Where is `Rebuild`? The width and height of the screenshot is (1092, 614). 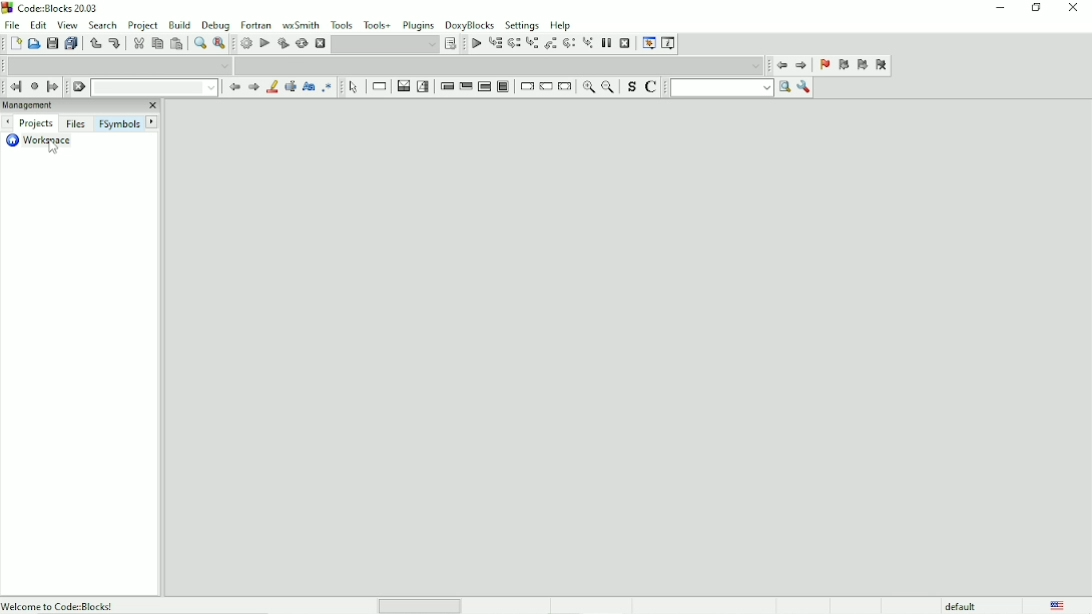
Rebuild is located at coordinates (301, 44).